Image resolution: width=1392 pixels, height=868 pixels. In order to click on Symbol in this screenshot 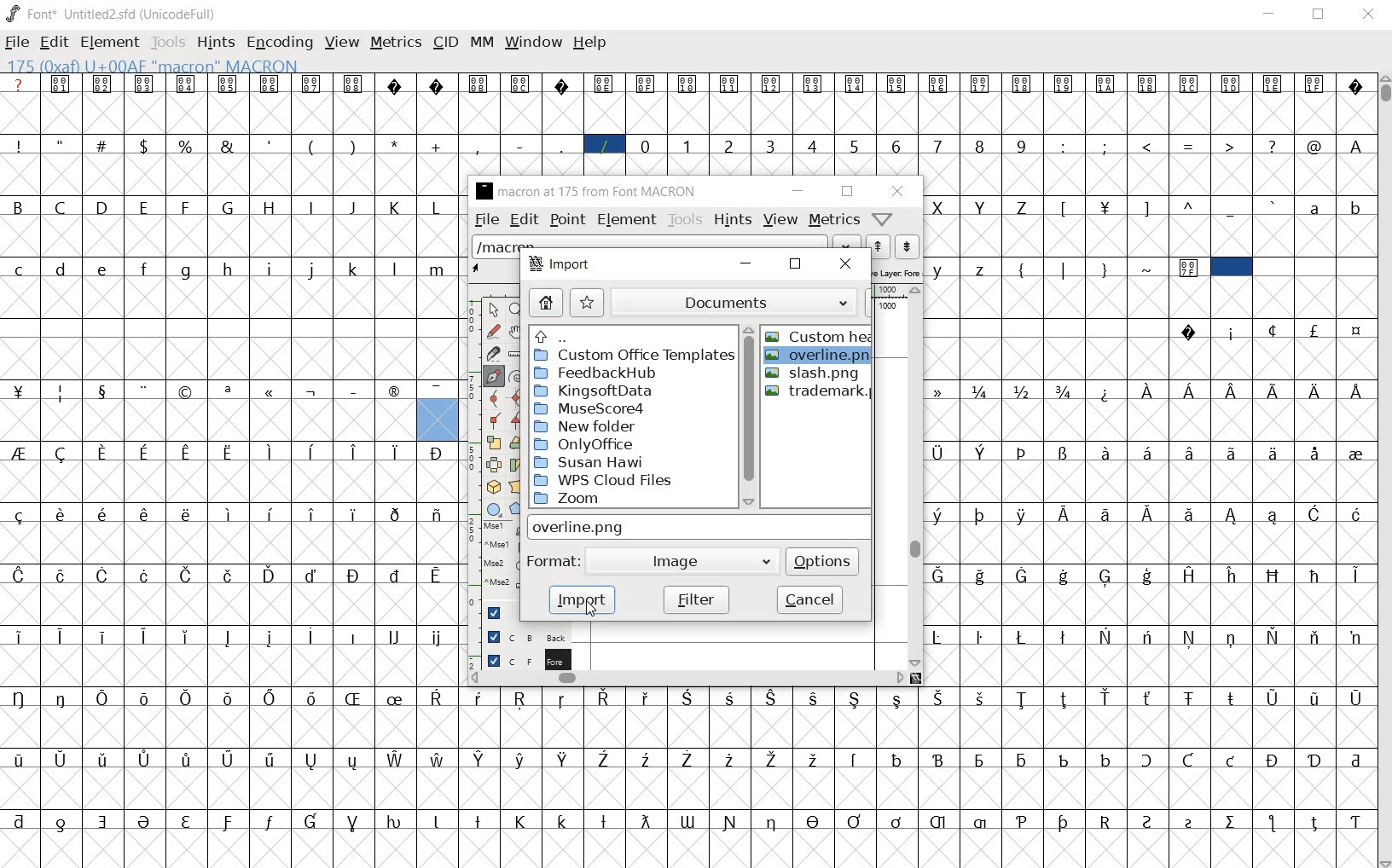, I will do `click(1188, 513)`.